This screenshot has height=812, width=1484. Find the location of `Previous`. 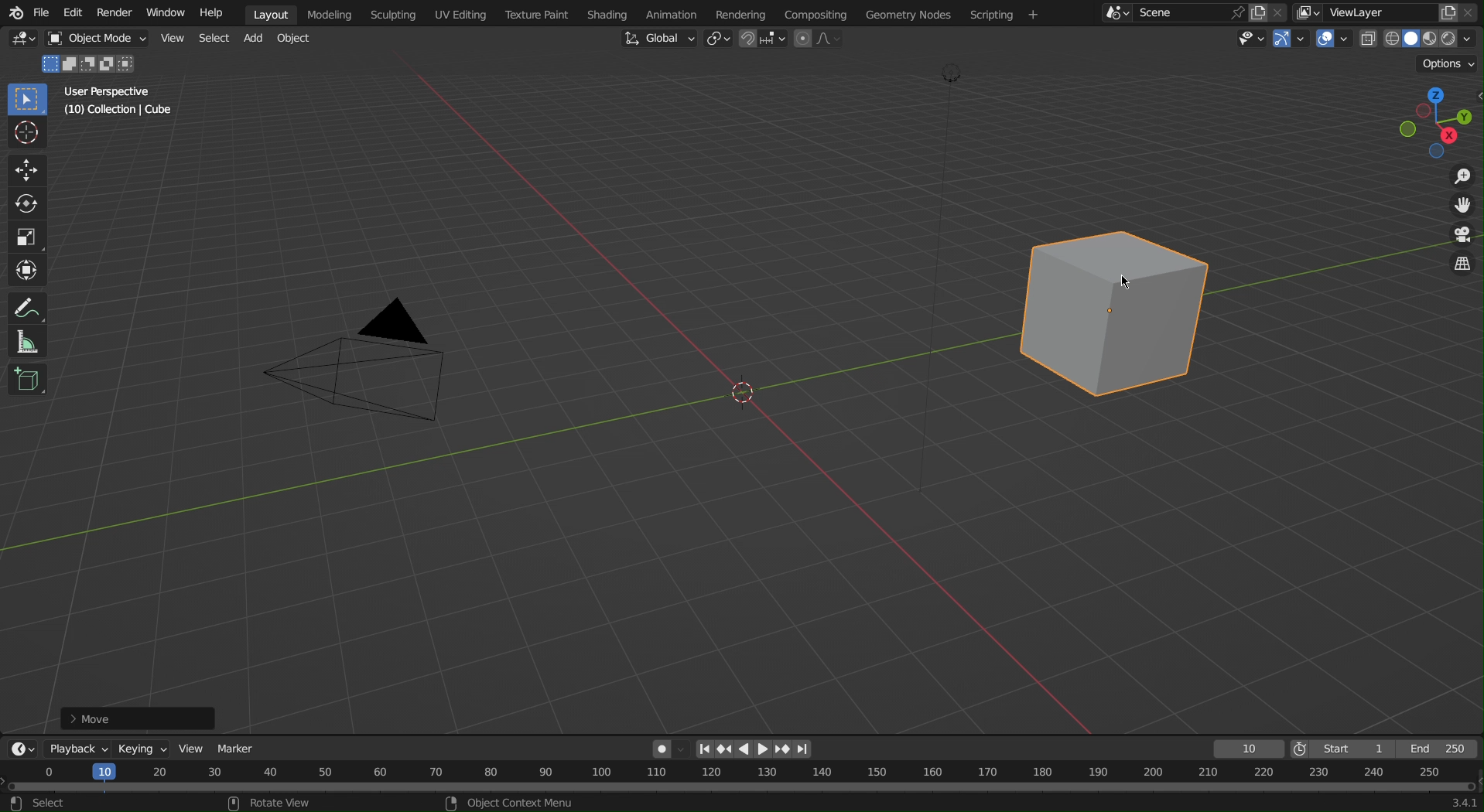

Previous is located at coordinates (723, 749).